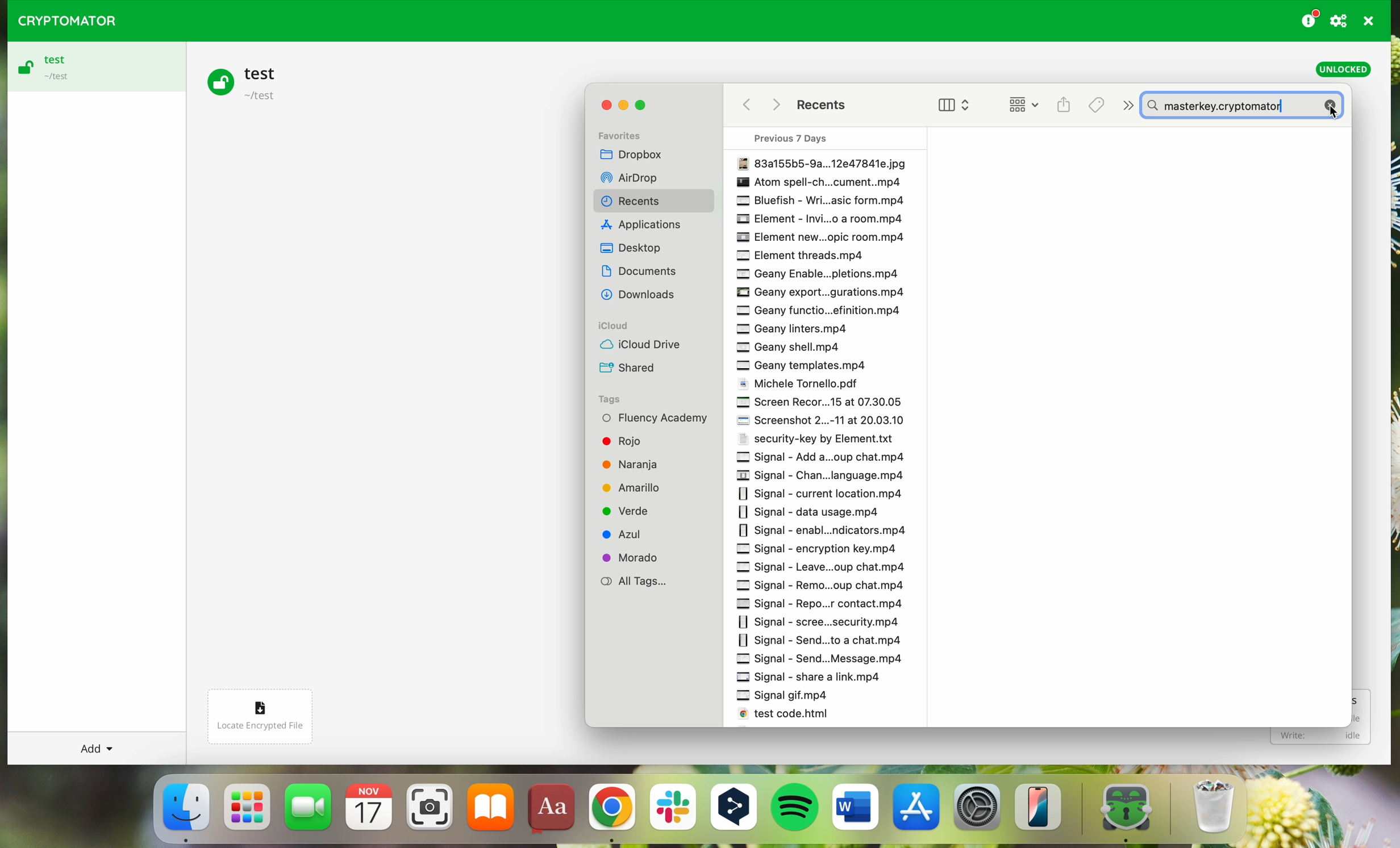 This screenshot has width=1400, height=848. What do you see at coordinates (628, 132) in the screenshot?
I see `Favorites` at bounding box center [628, 132].